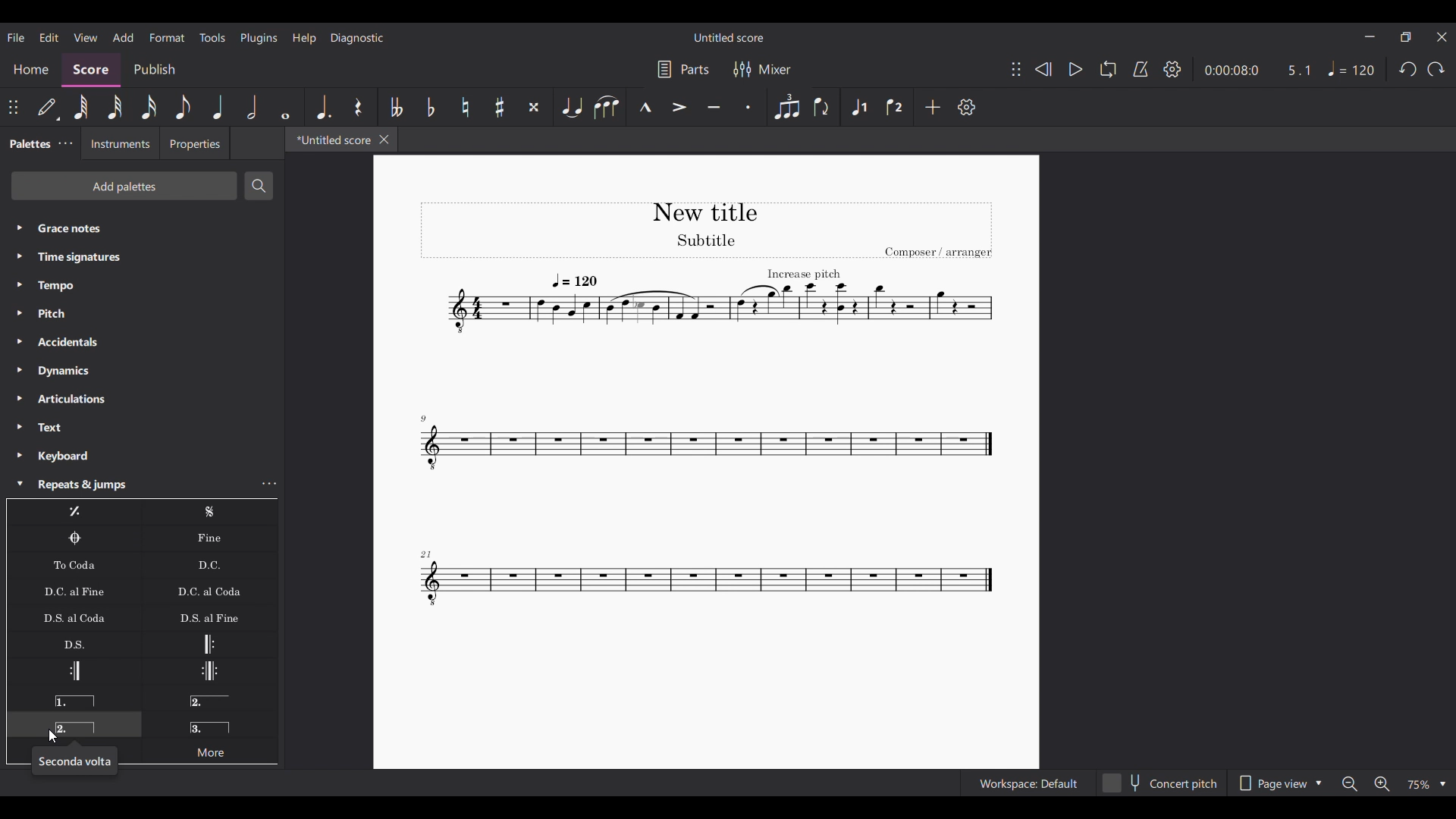 The image size is (1456, 819). What do you see at coordinates (1028, 783) in the screenshot?
I see `Workspace: Default` at bounding box center [1028, 783].